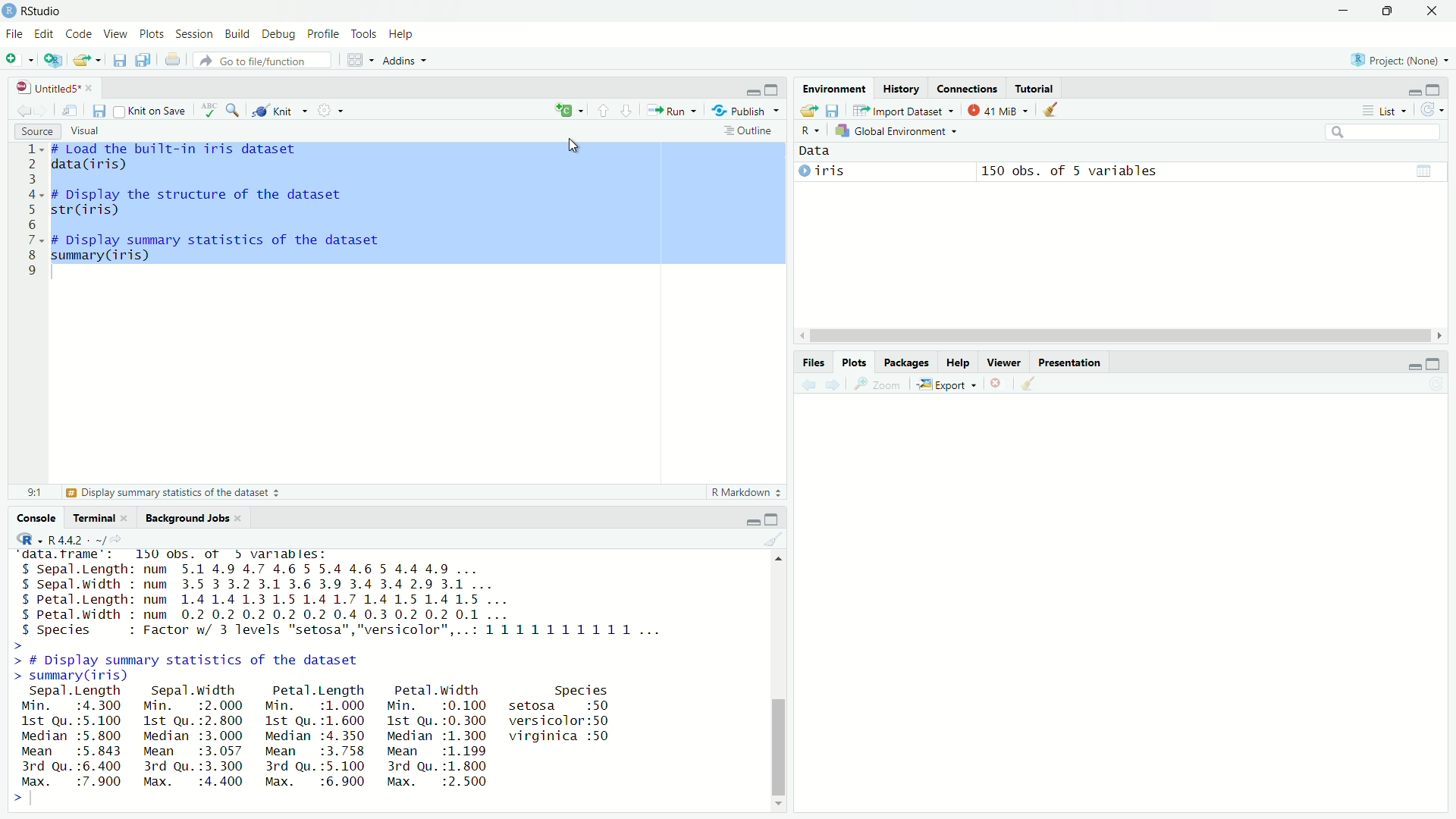 The width and height of the screenshot is (1456, 819). Describe the element at coordinates (604, 110) in the screenshot. I see `Go to previous section` at that location.